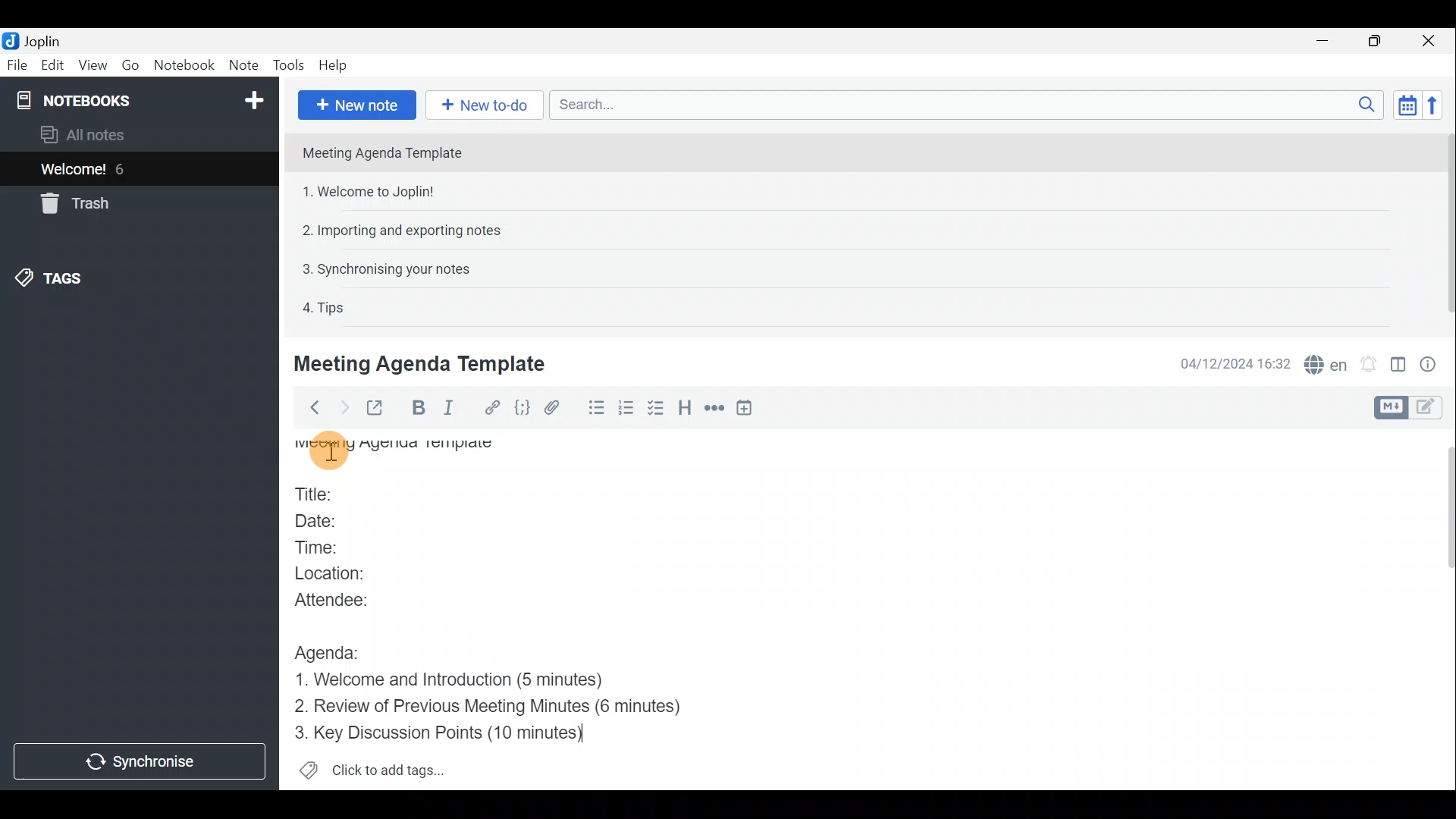  Describe the element at coordinates (962, 104) in the screenshot. I see `Search bar` at that location.